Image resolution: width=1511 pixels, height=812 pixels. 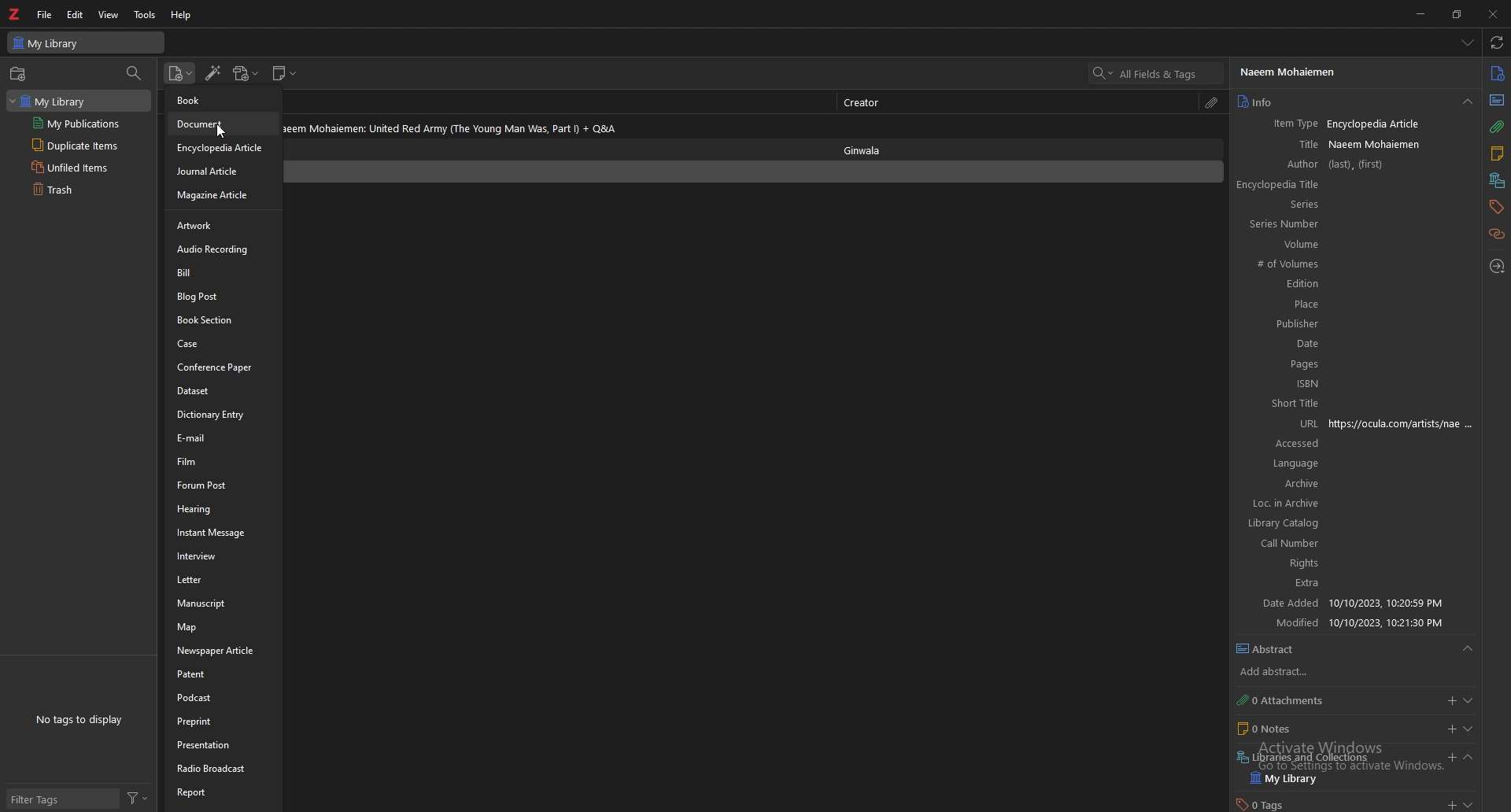 What do you see at coordinates (61, 799) in the screenshot?
I see `filter tags` at bounding box center [61, 799].